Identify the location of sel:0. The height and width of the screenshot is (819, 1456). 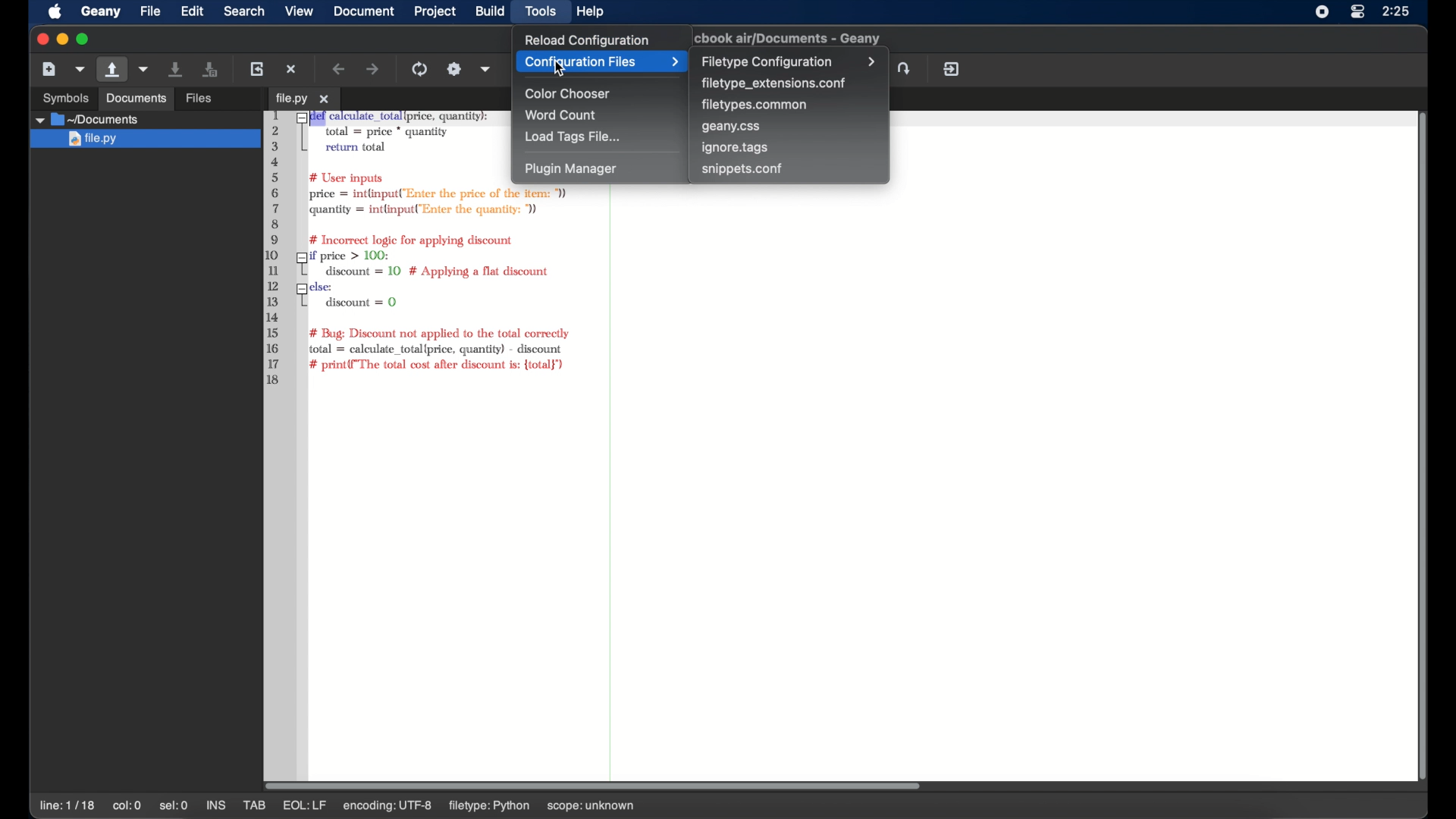
(174, 805).